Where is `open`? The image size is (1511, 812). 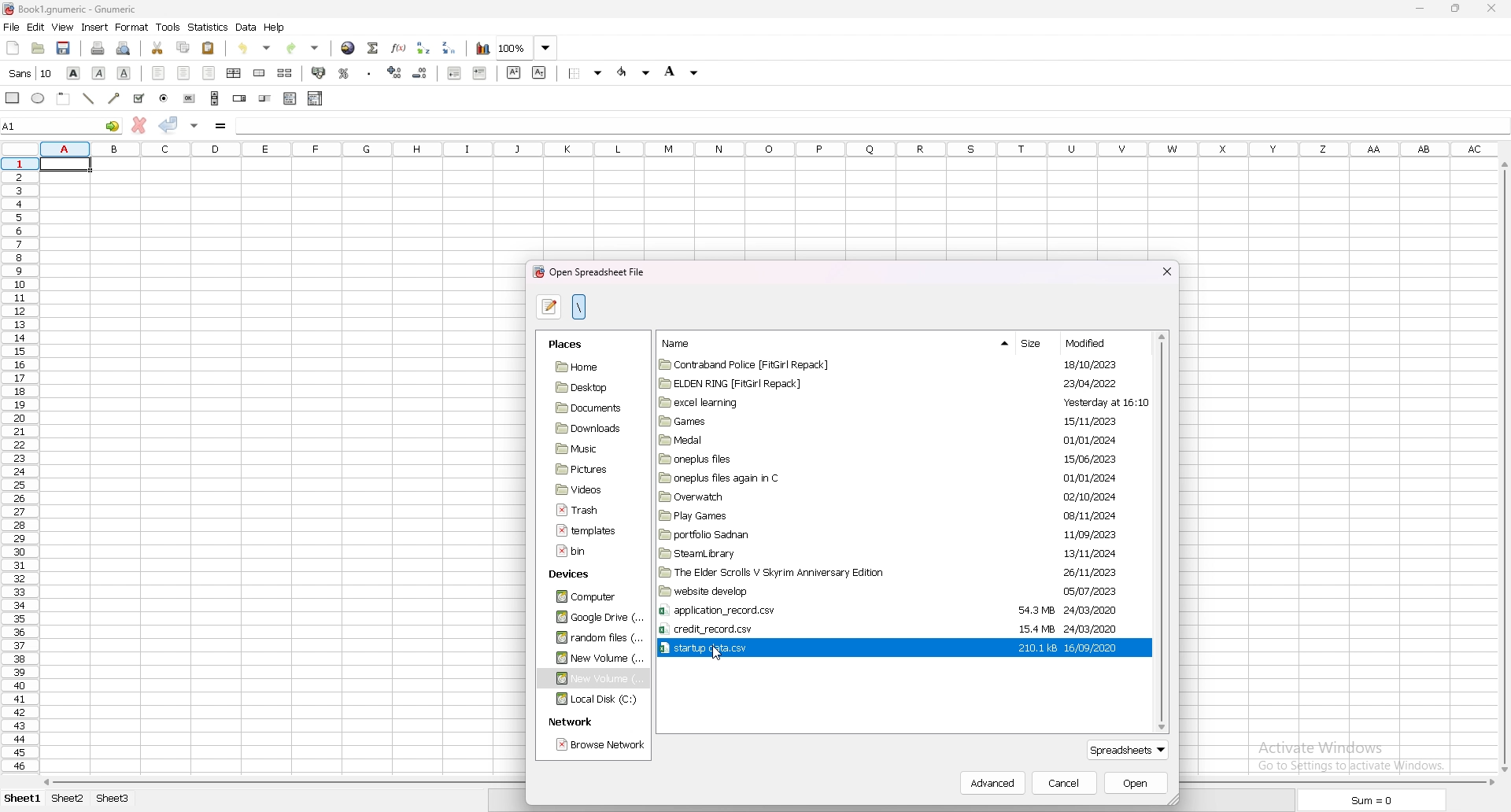 open is located at coordinates (1136, 783).